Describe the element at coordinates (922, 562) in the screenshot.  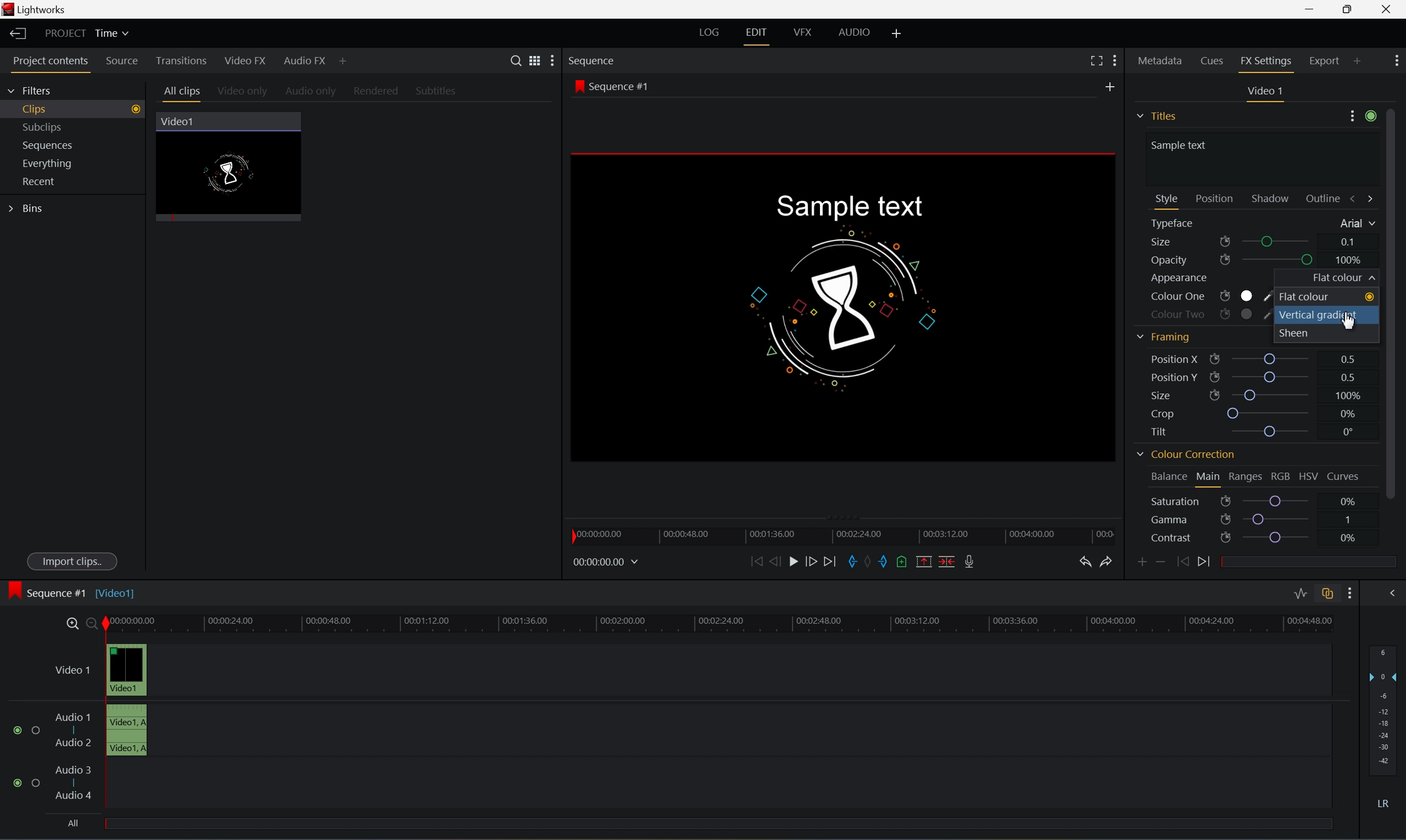
I see `remove the marked section` at that location.